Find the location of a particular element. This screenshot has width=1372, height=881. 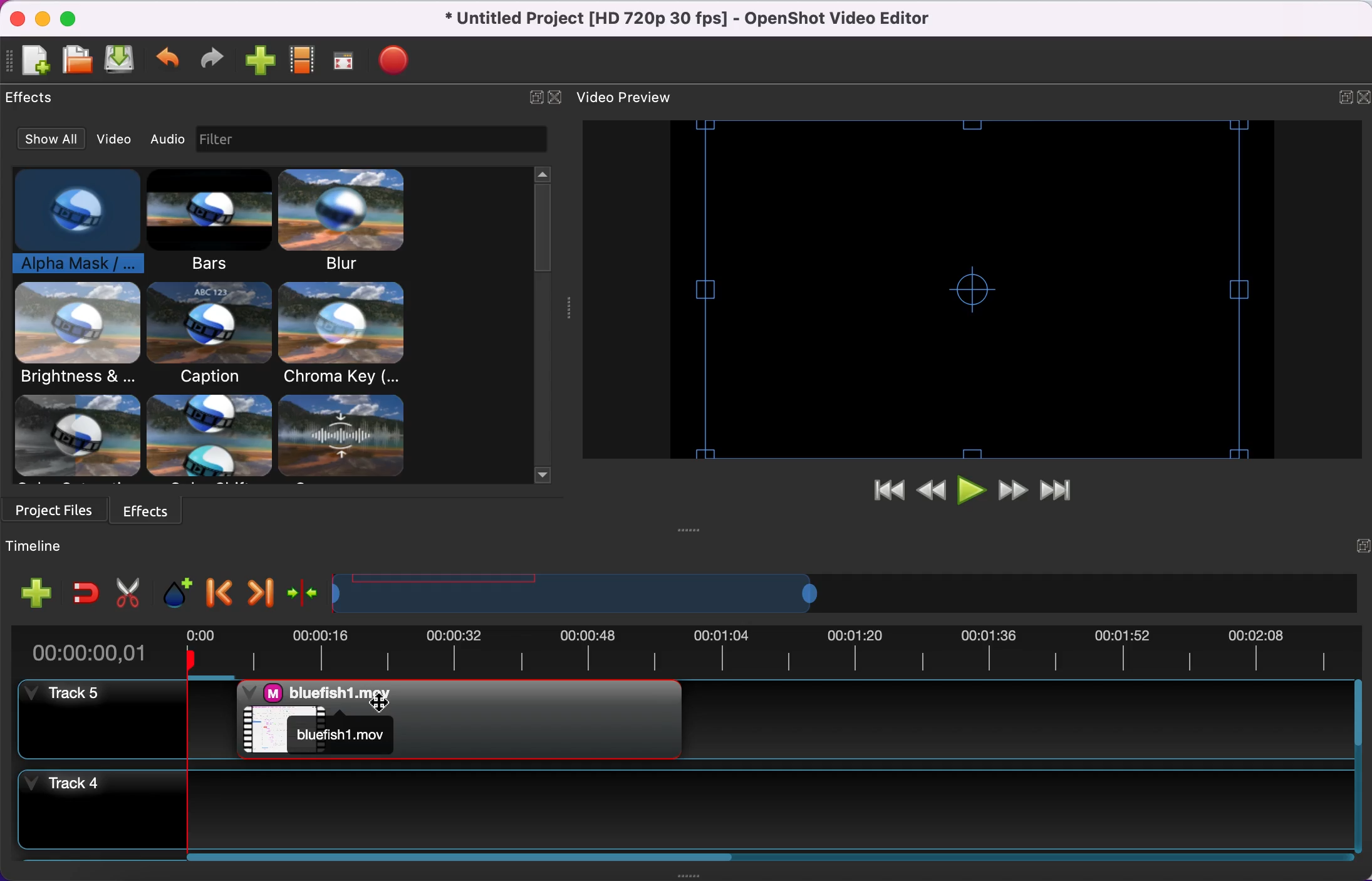

rewind is located at coordinates (932, 491).